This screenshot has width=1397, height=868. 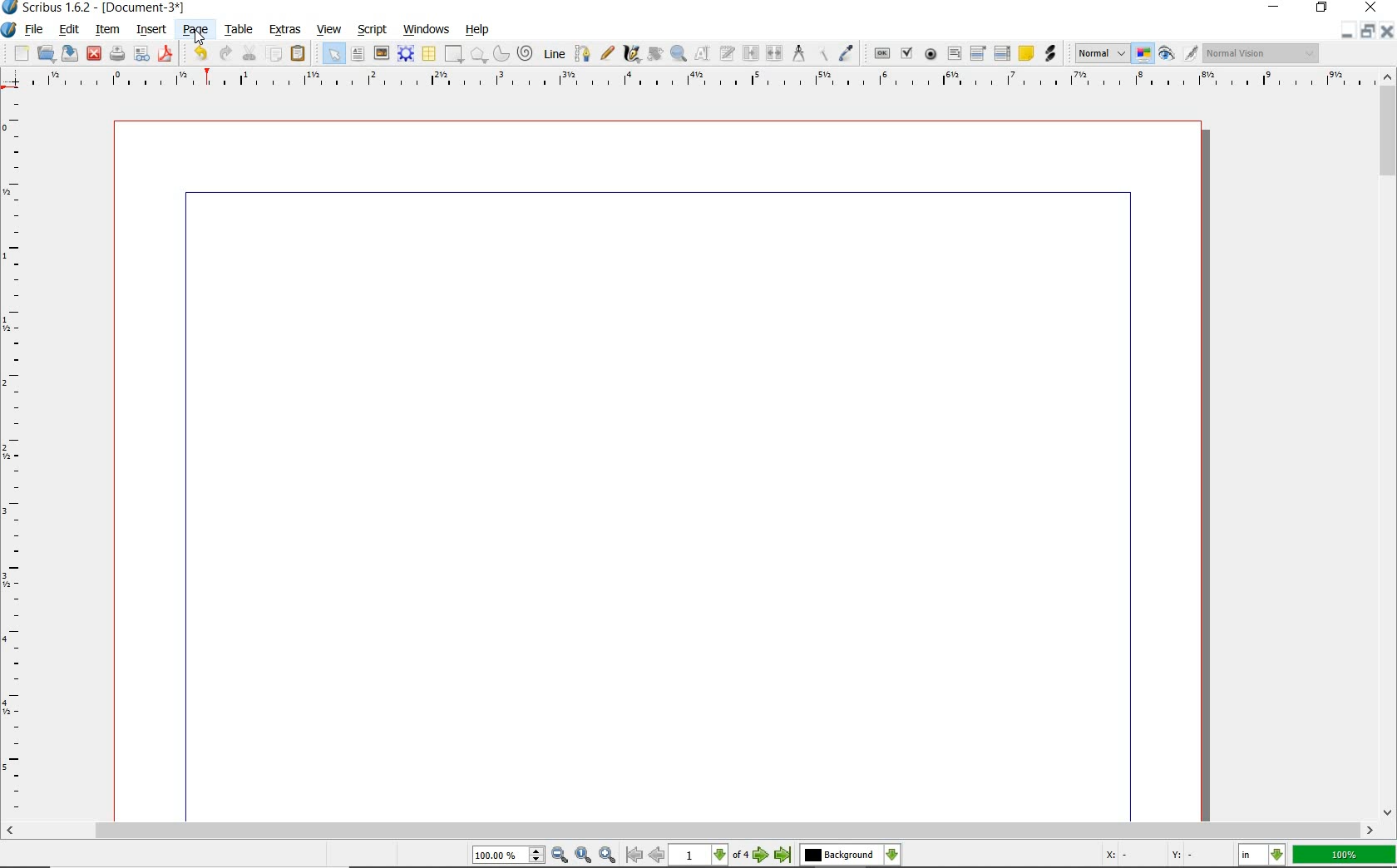 I want to click on toggle color management, so click(x=1143, y=54).